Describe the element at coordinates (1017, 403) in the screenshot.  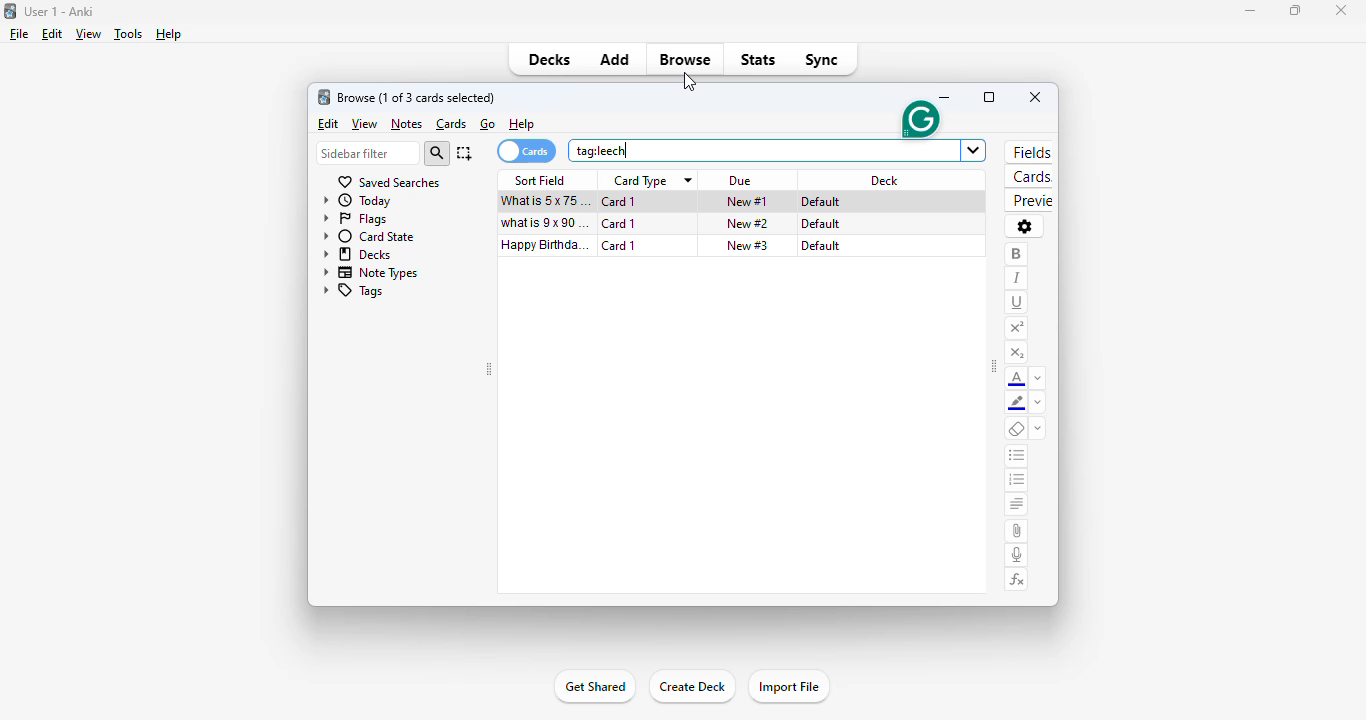
I see `text highlight color` at that location.